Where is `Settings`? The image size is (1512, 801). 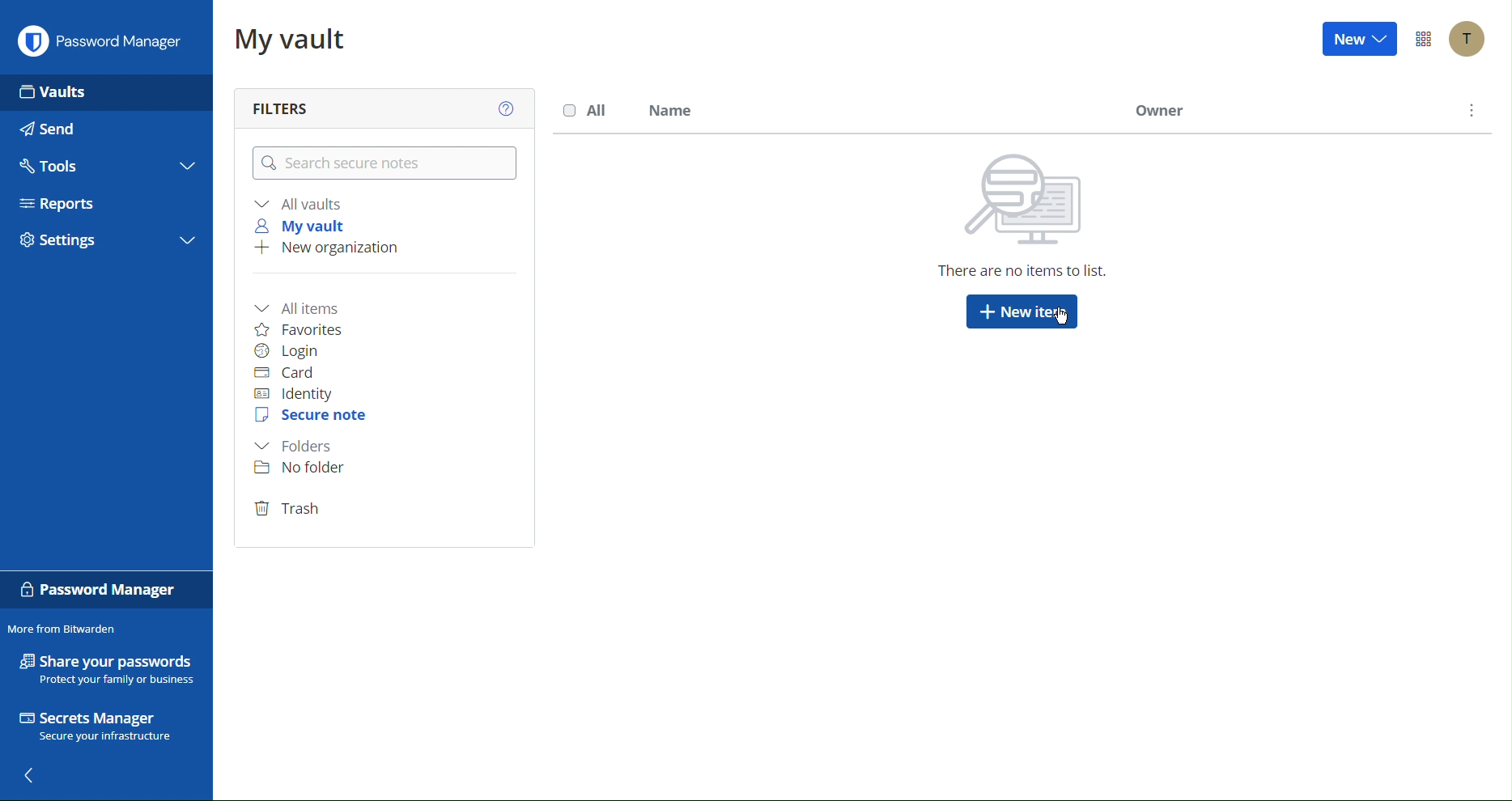 Settings is located at coordinates (65, 239).